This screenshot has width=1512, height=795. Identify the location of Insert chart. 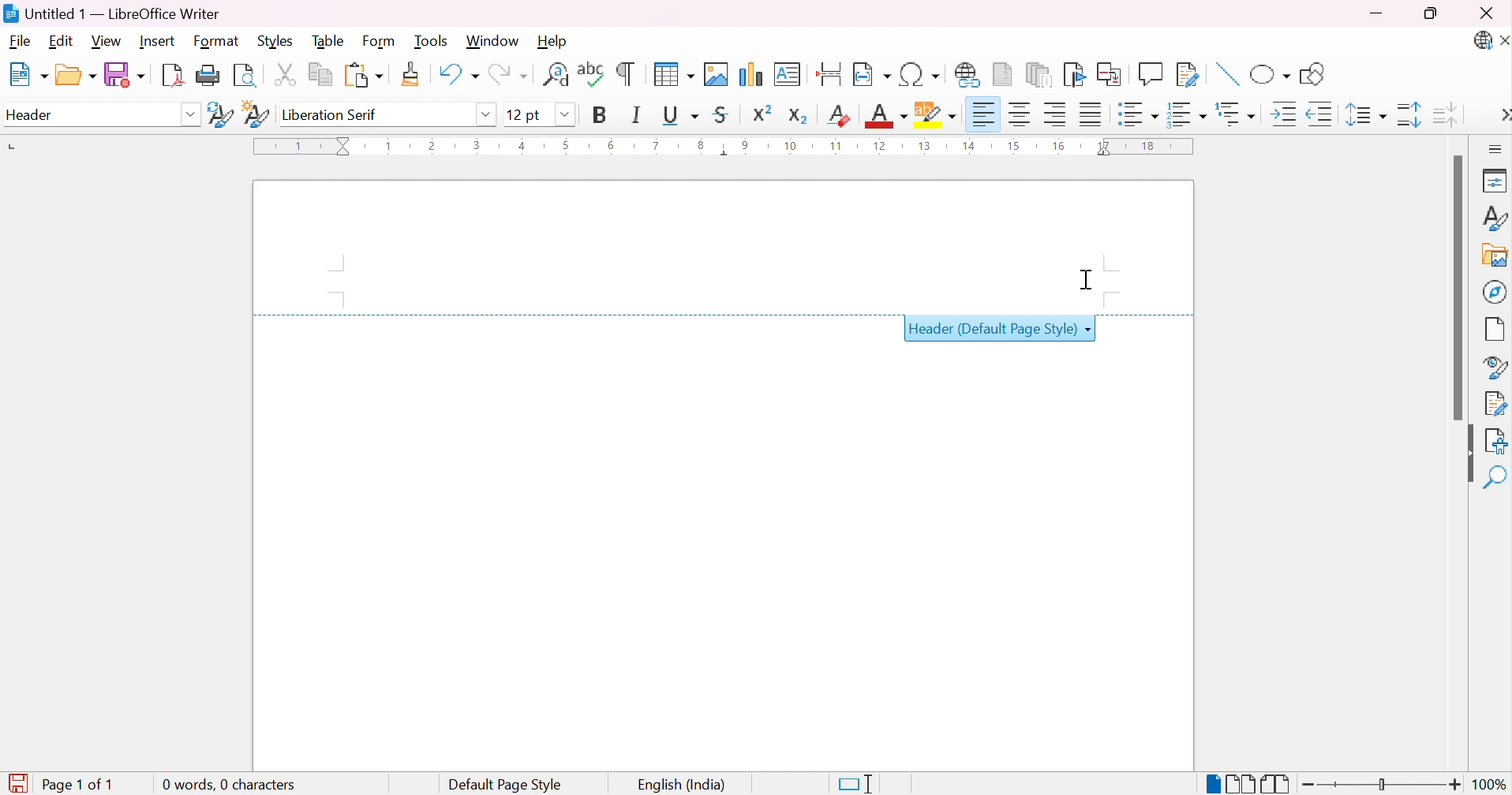
(750, 73).